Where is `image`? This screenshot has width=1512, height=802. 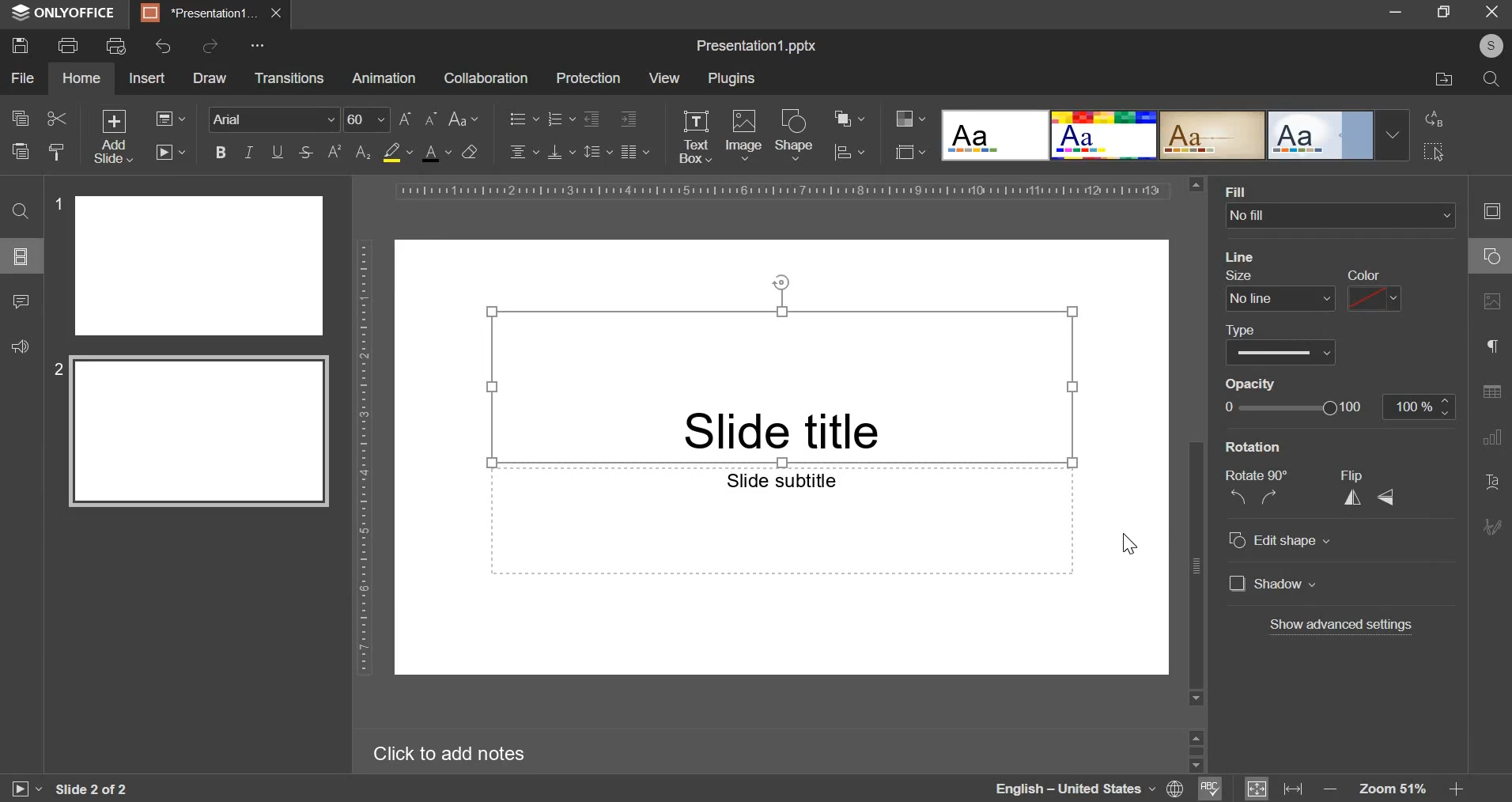
image is located at coordinates (744, 133).